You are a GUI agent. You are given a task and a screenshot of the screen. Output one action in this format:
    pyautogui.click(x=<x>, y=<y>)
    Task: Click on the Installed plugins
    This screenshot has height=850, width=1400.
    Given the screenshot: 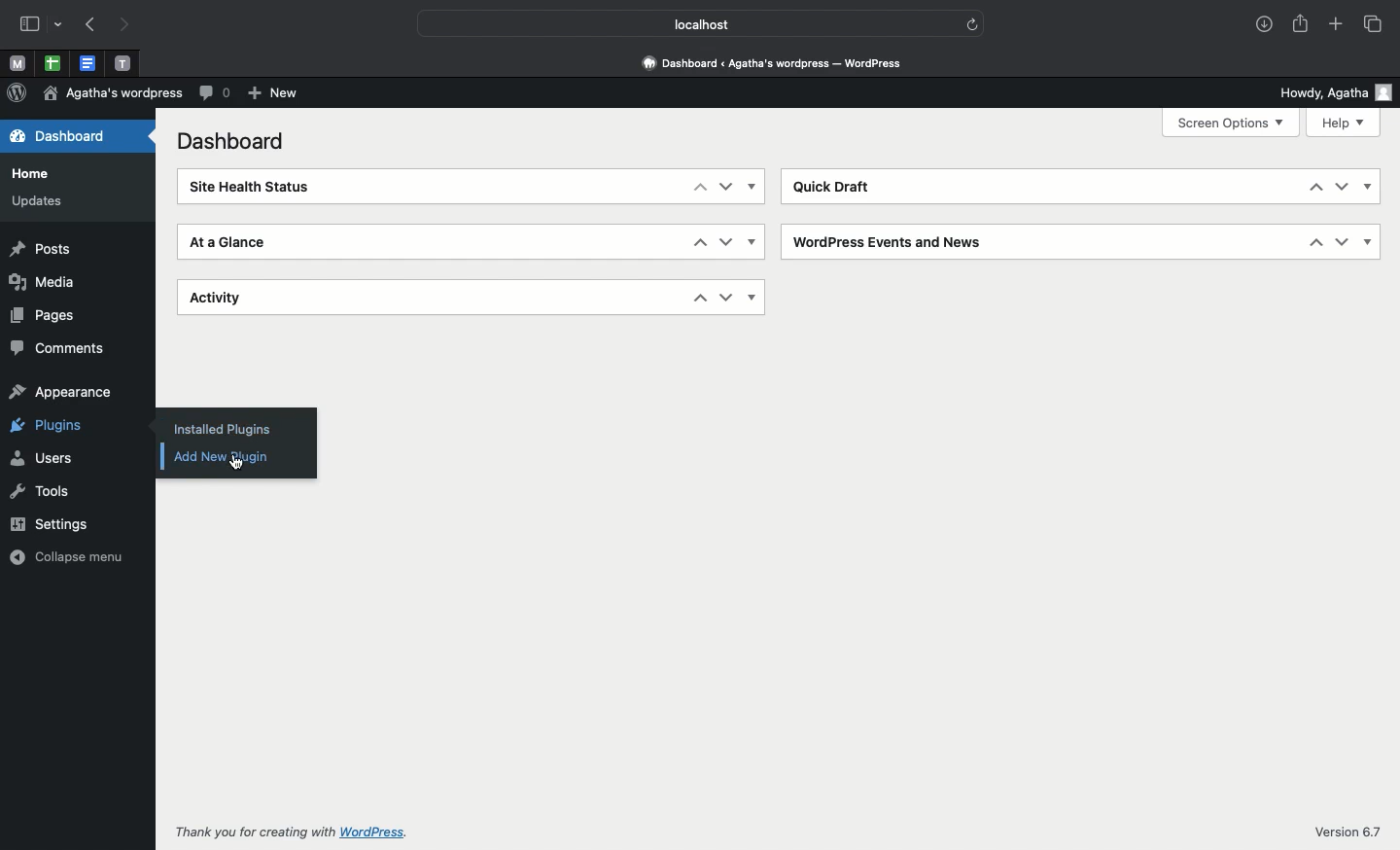 What is the action you would take?
    pyautogui.click(x=226, y=430)
    